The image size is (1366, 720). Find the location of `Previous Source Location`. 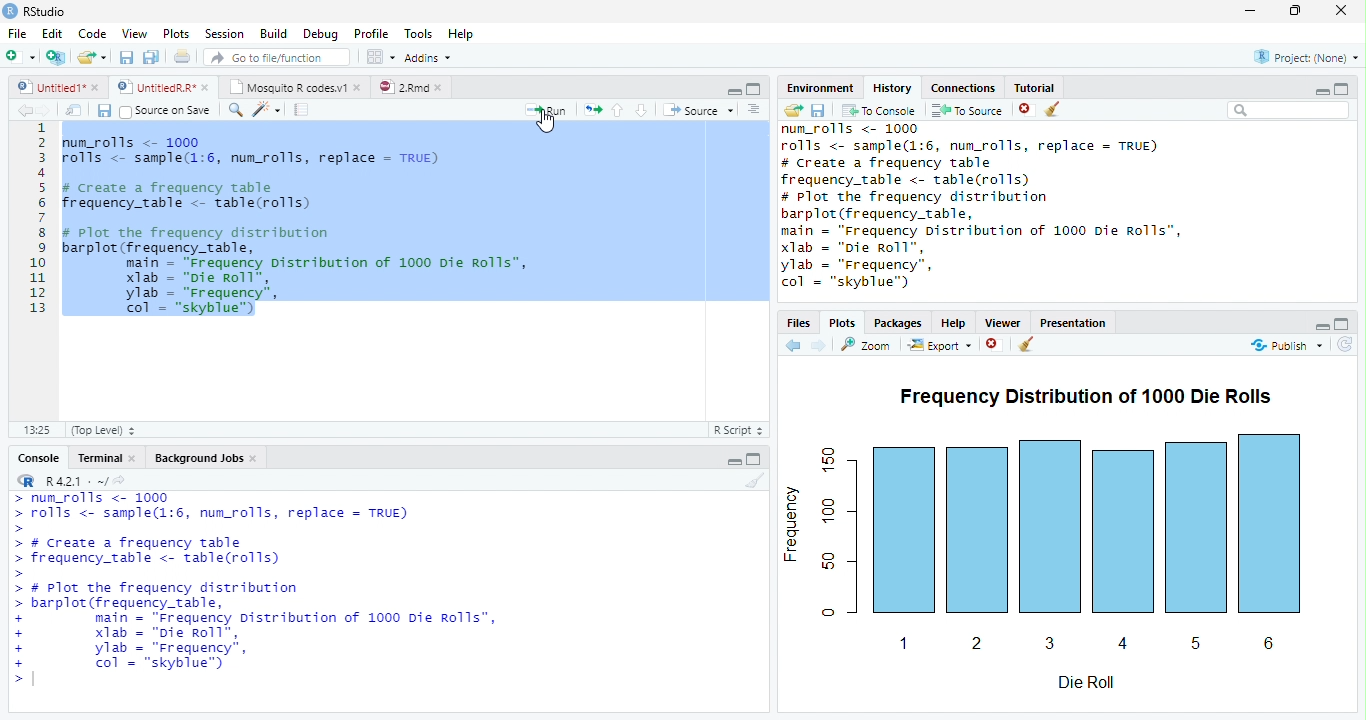

Previous Source Location is located at coordinates (22, 110).